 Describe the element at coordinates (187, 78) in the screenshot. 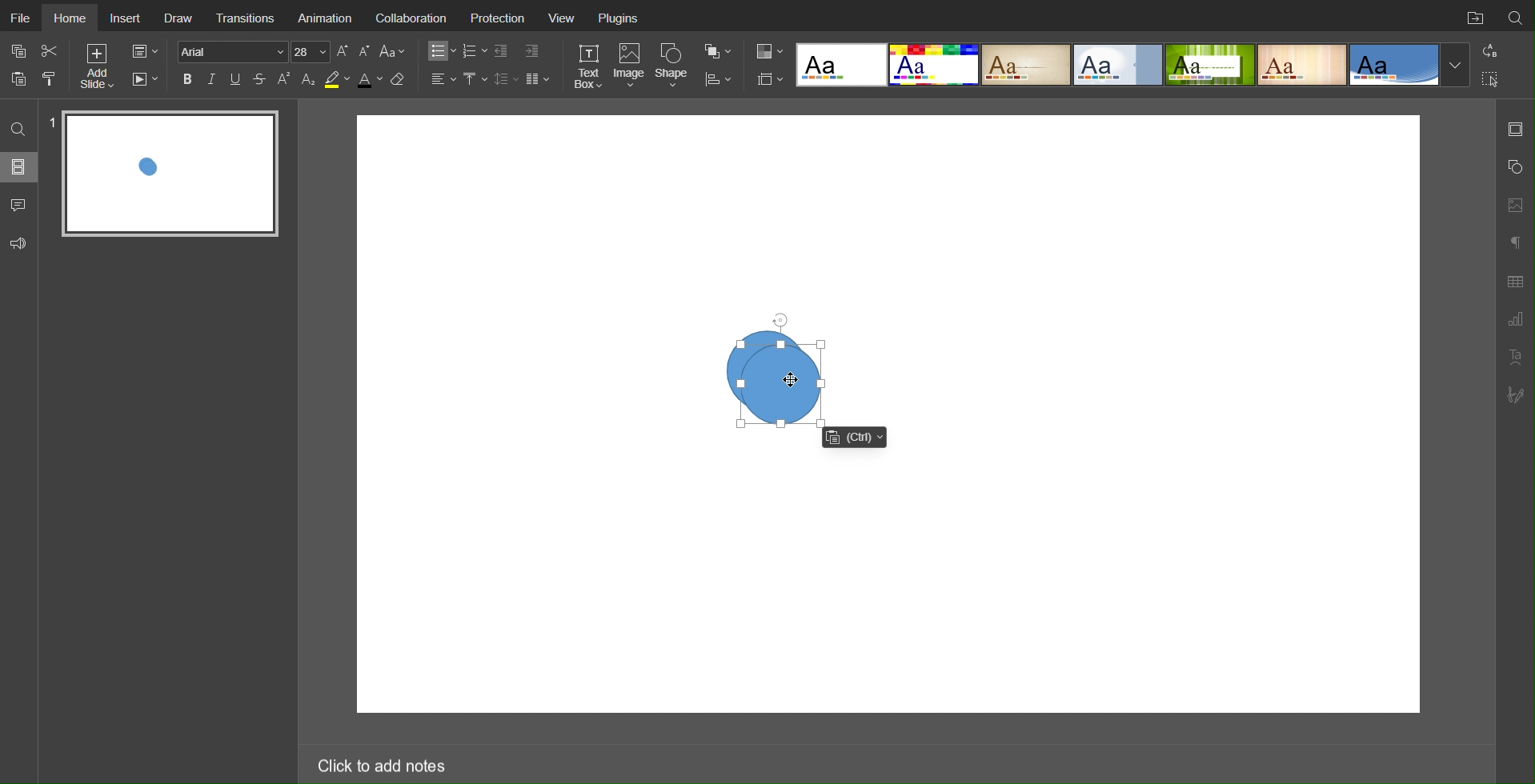

I see `Bold` at that location.